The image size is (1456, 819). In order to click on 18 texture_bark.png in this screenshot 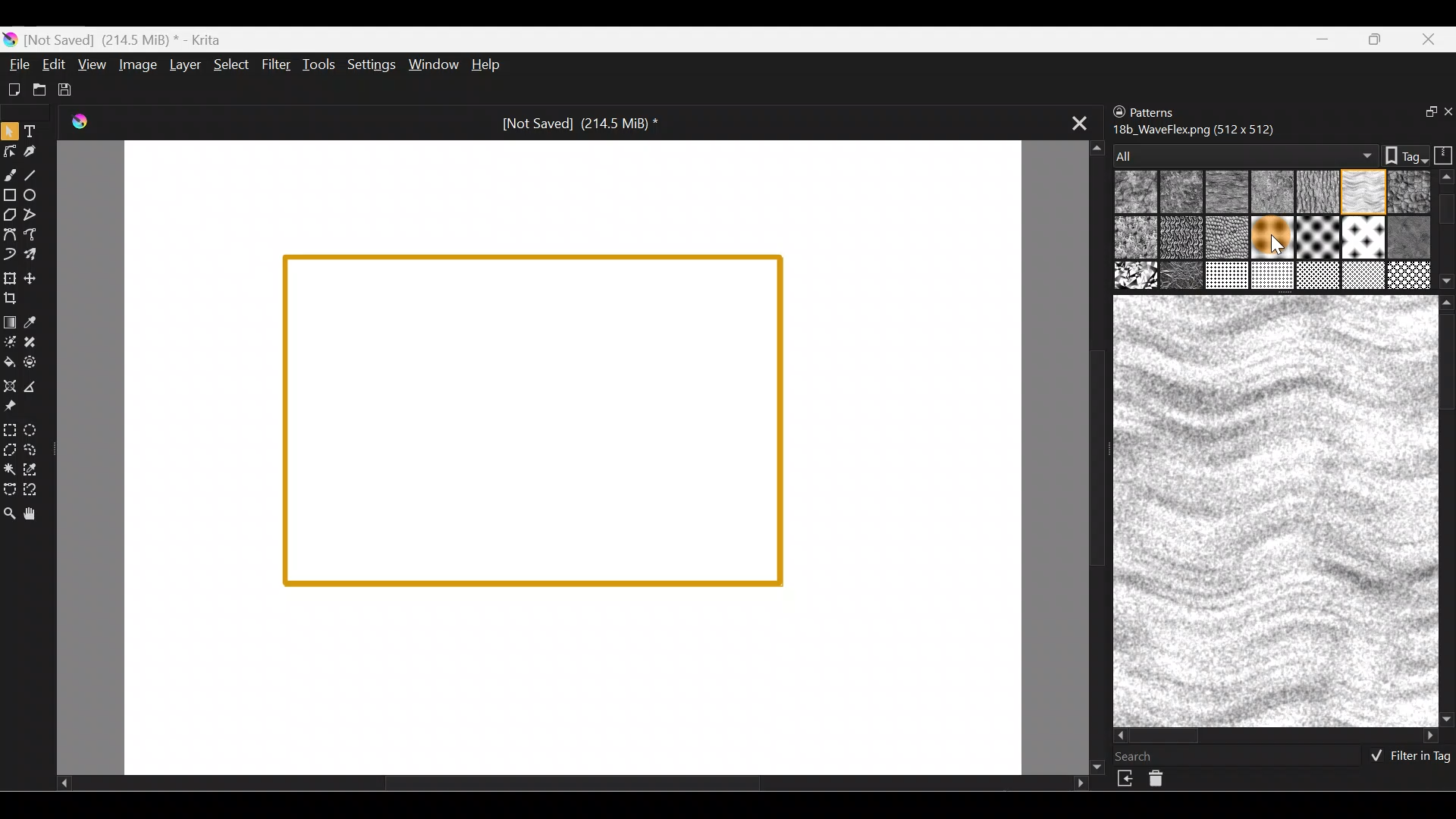, I will do `click(1319, 277)`.